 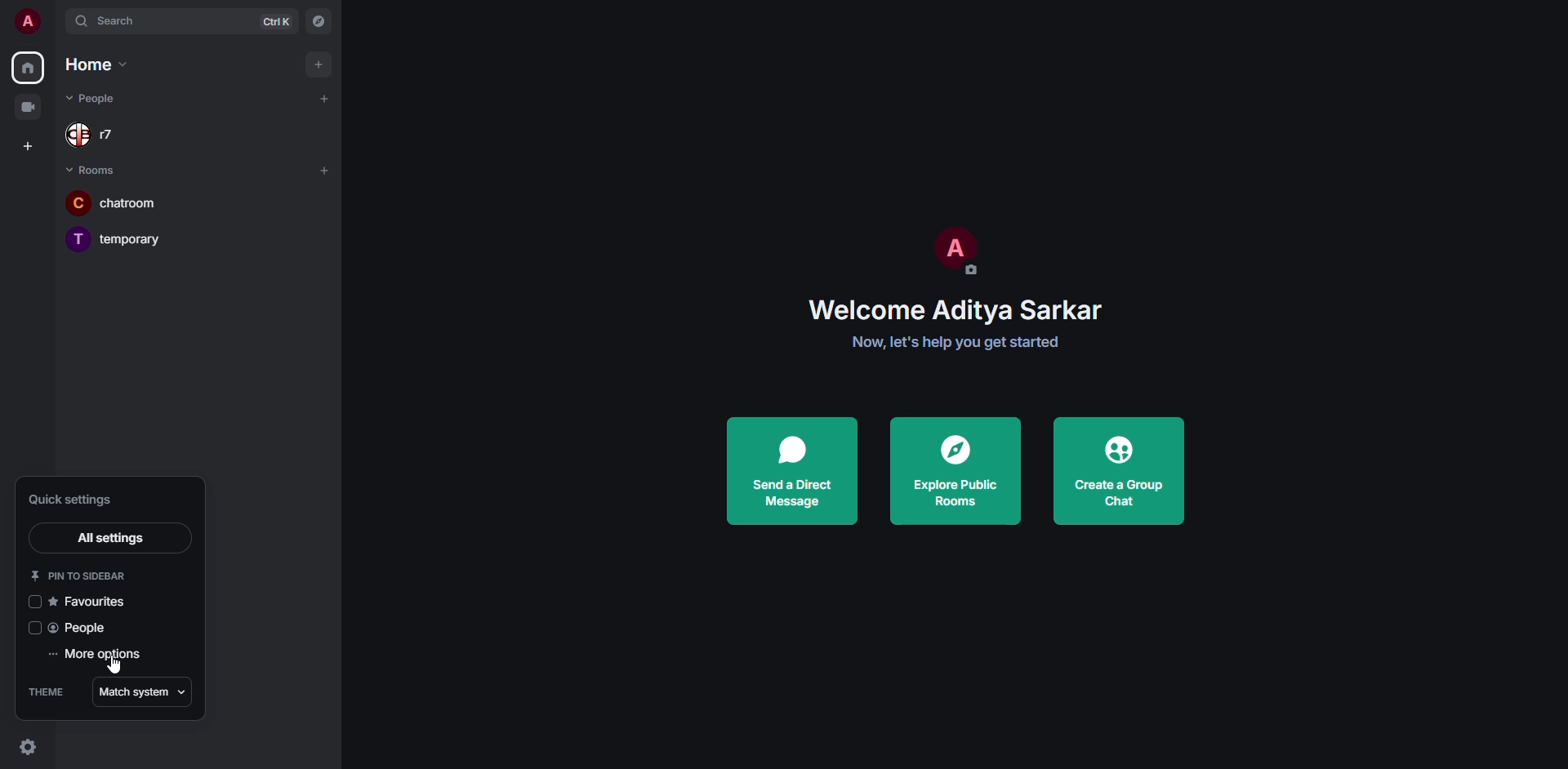 I want to click on people, so click(x=95, y=100).